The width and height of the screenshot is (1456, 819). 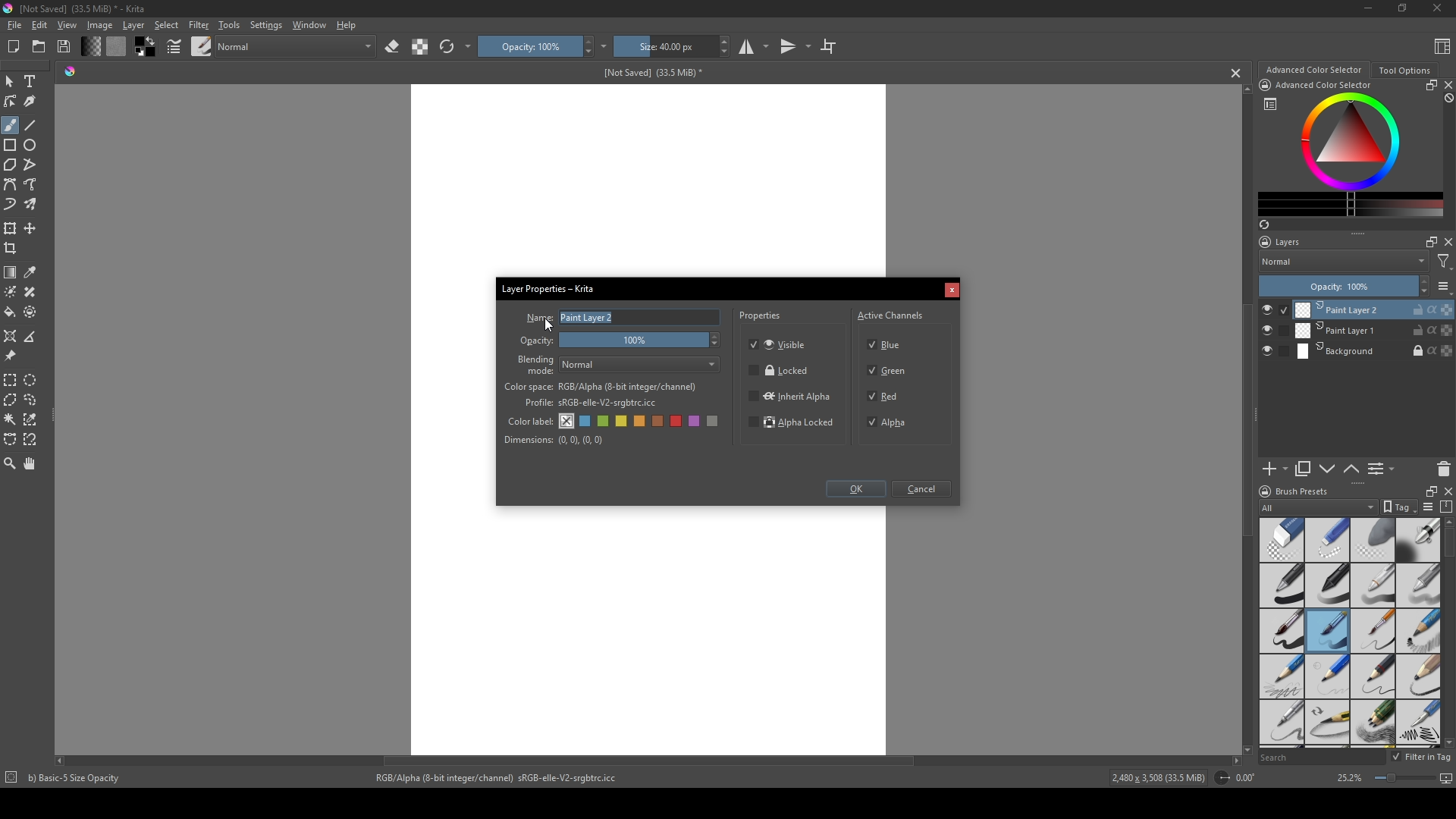 What do you see at coordinates (1264, 85) in the screenshot?
I see `icon` at bounding box center [1264, 85].